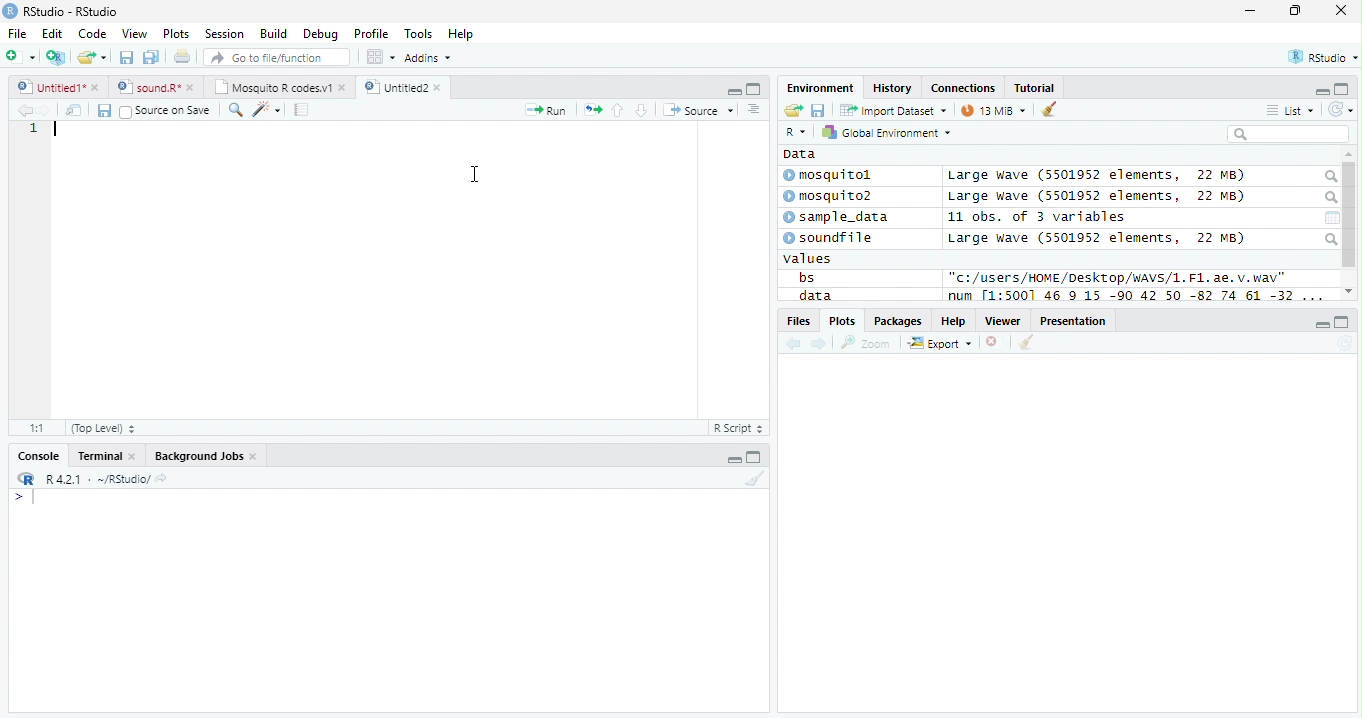 The height and width of the screenshot is (718, 1362). Describe the element at coordinates (1096, 238) in the screenshot. I see `Large wave (5501952 elements, 22 MB)` at that location.